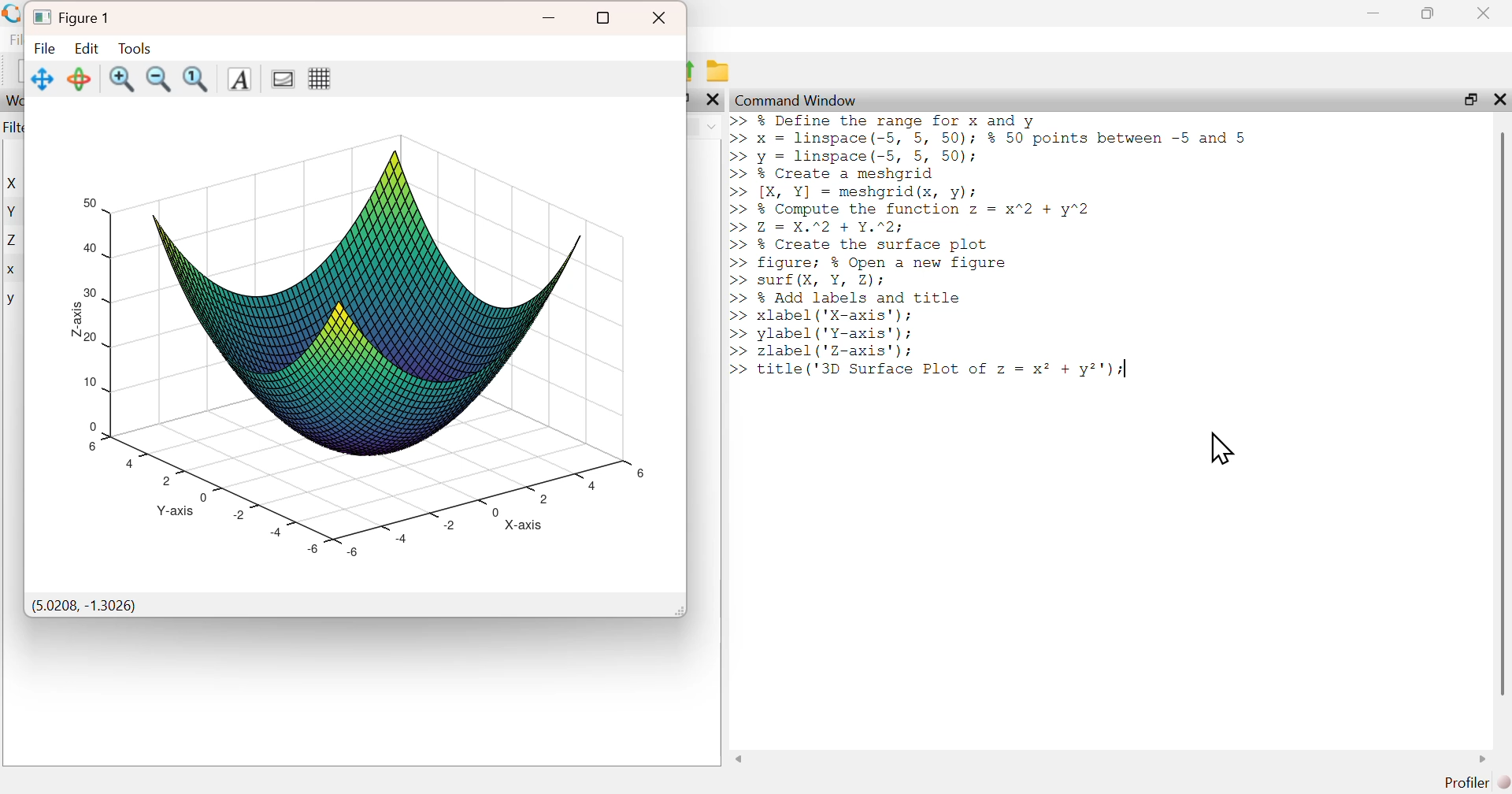 The height and width of the screenshot is (794, 1512). I want to click on maximize, so click(1429, 13).